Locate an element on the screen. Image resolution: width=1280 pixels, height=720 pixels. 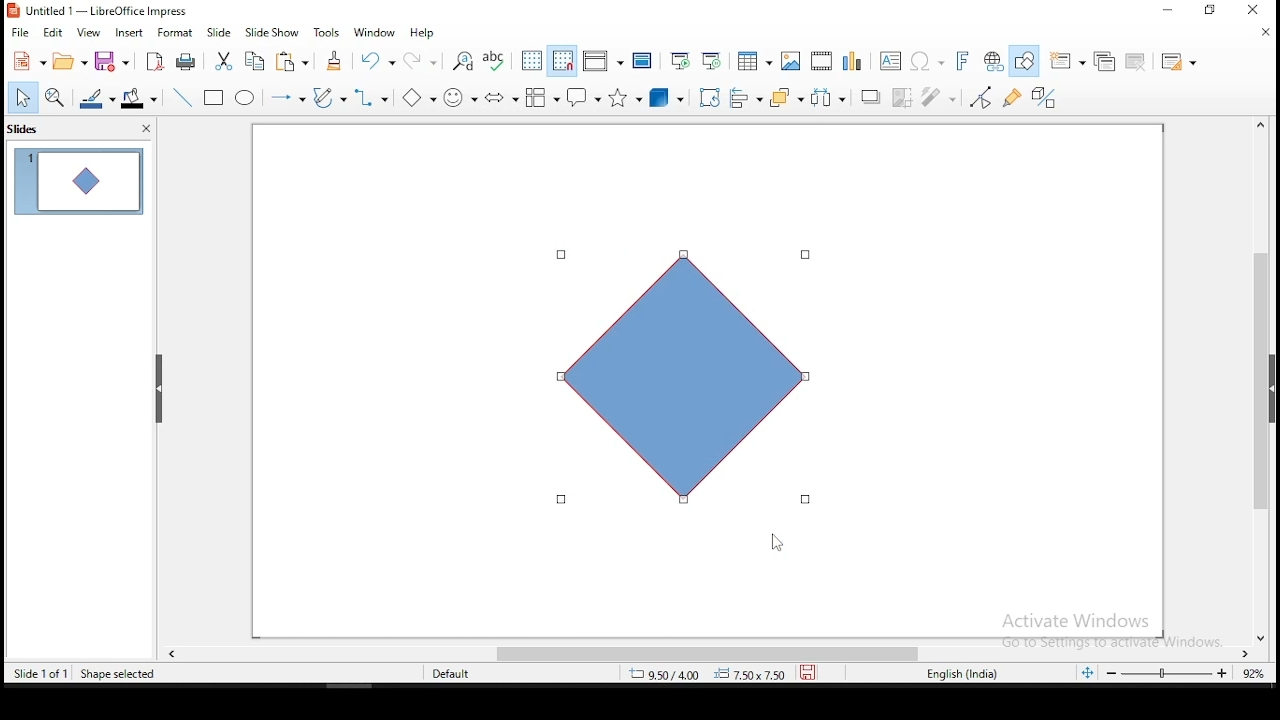
insert audio or video is located at coordinates (823, 59).